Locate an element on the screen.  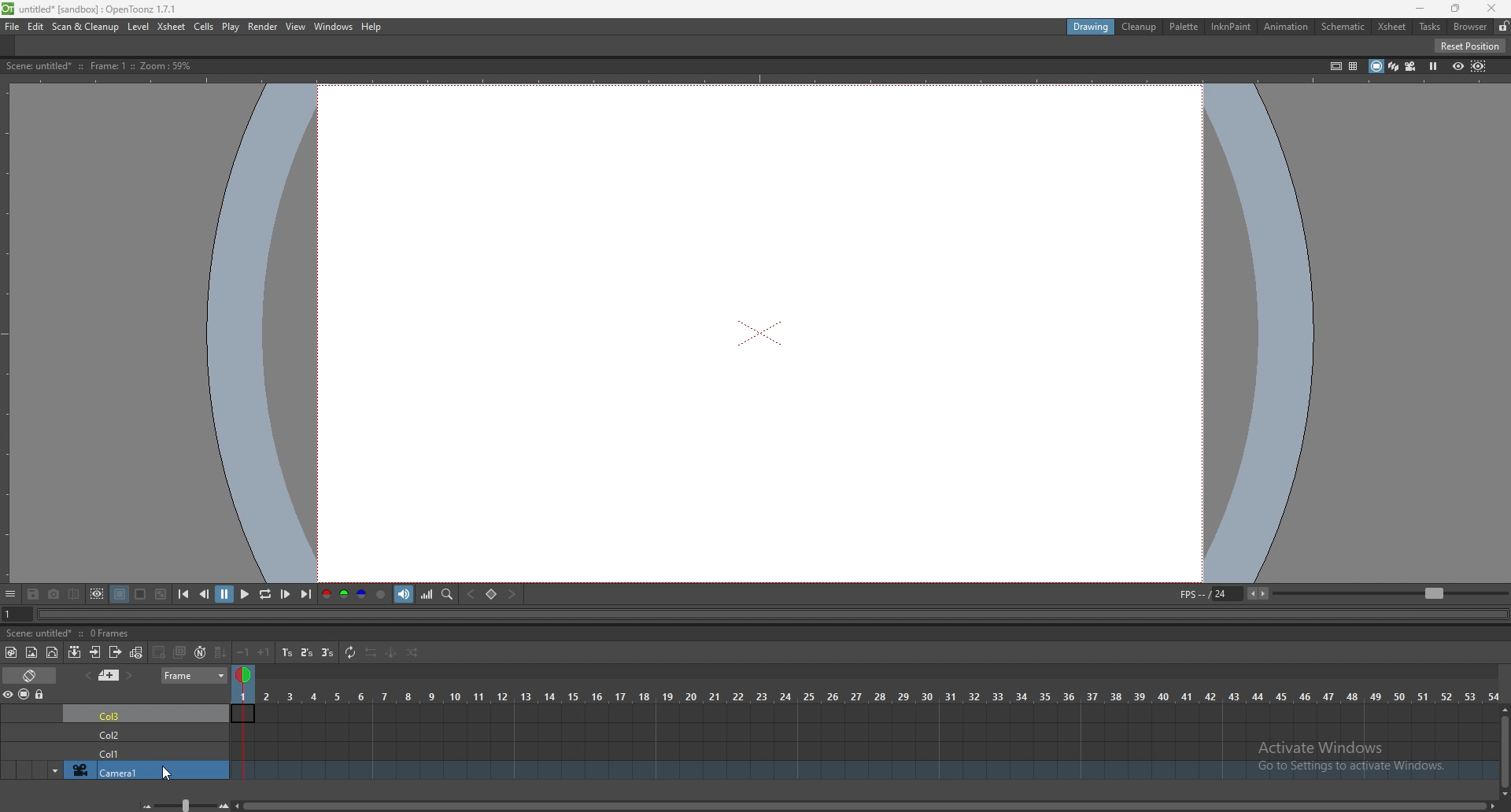
sub camera preview is located at coordinates (1479, 66).